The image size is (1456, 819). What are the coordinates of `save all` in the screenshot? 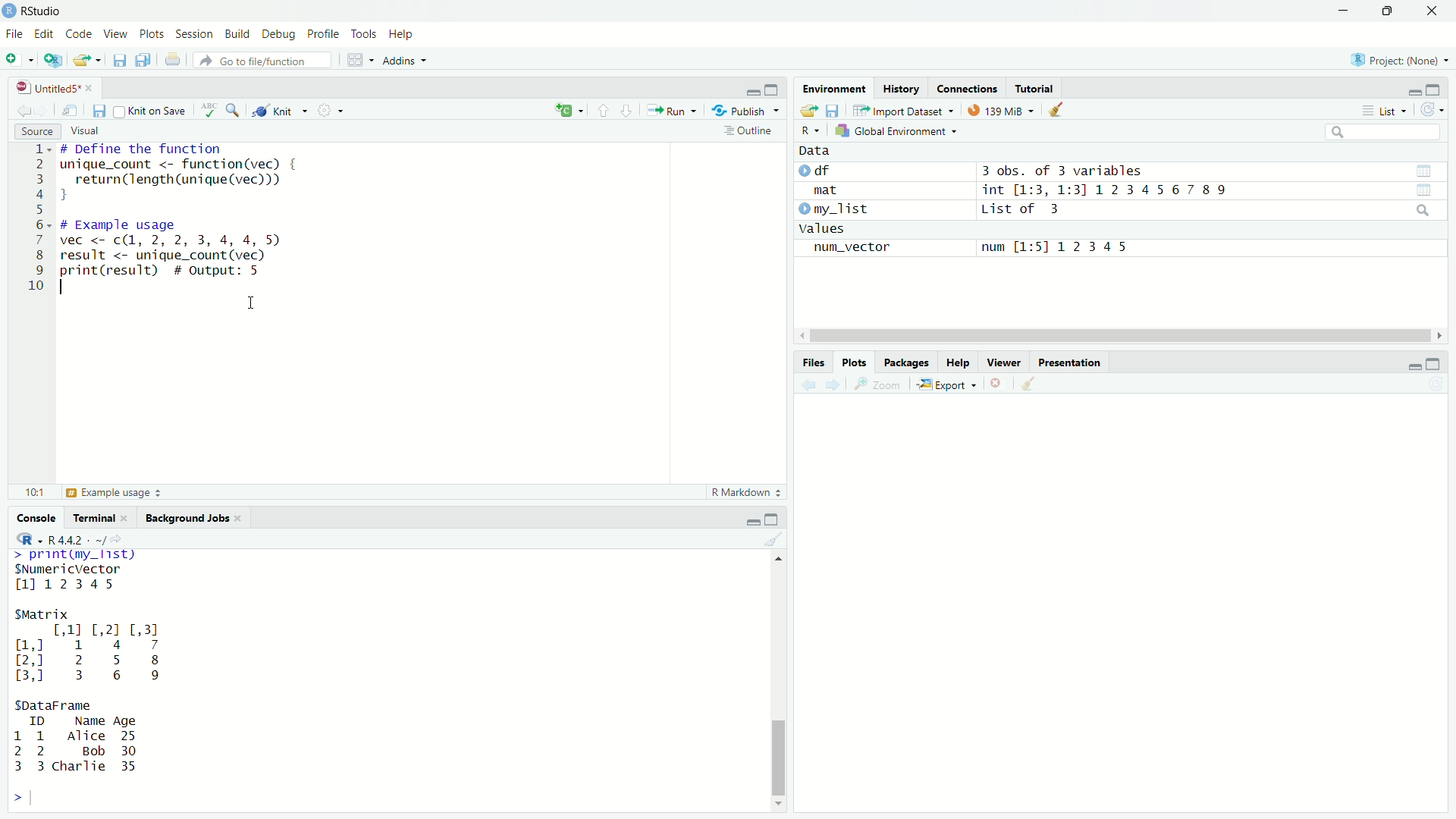 It's located at (144, 60).